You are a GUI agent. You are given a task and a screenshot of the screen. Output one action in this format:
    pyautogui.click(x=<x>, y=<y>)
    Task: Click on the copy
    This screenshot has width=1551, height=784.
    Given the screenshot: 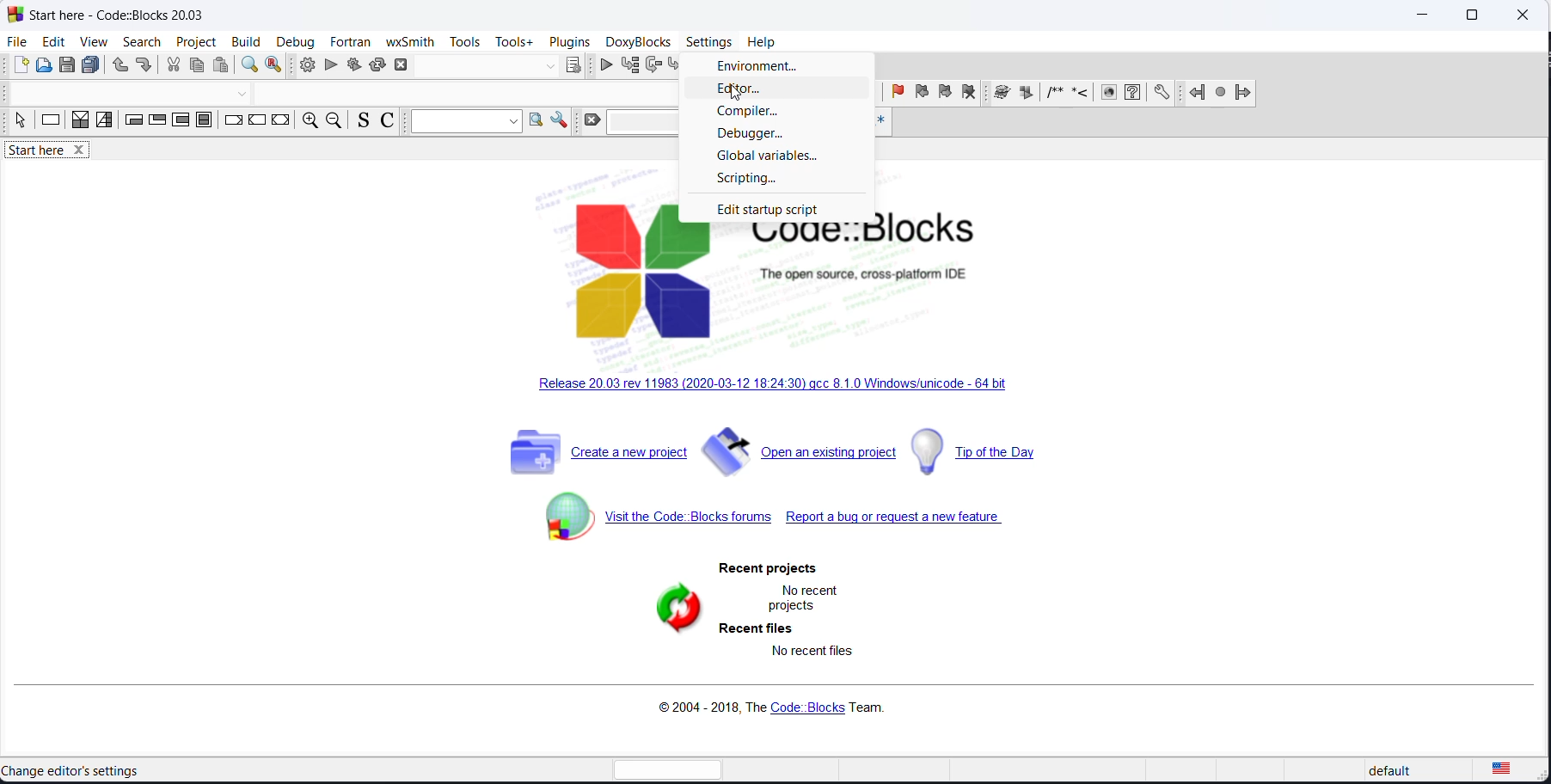 What is the action you would take?
    pyautogui.click(x=199, y=67)
    